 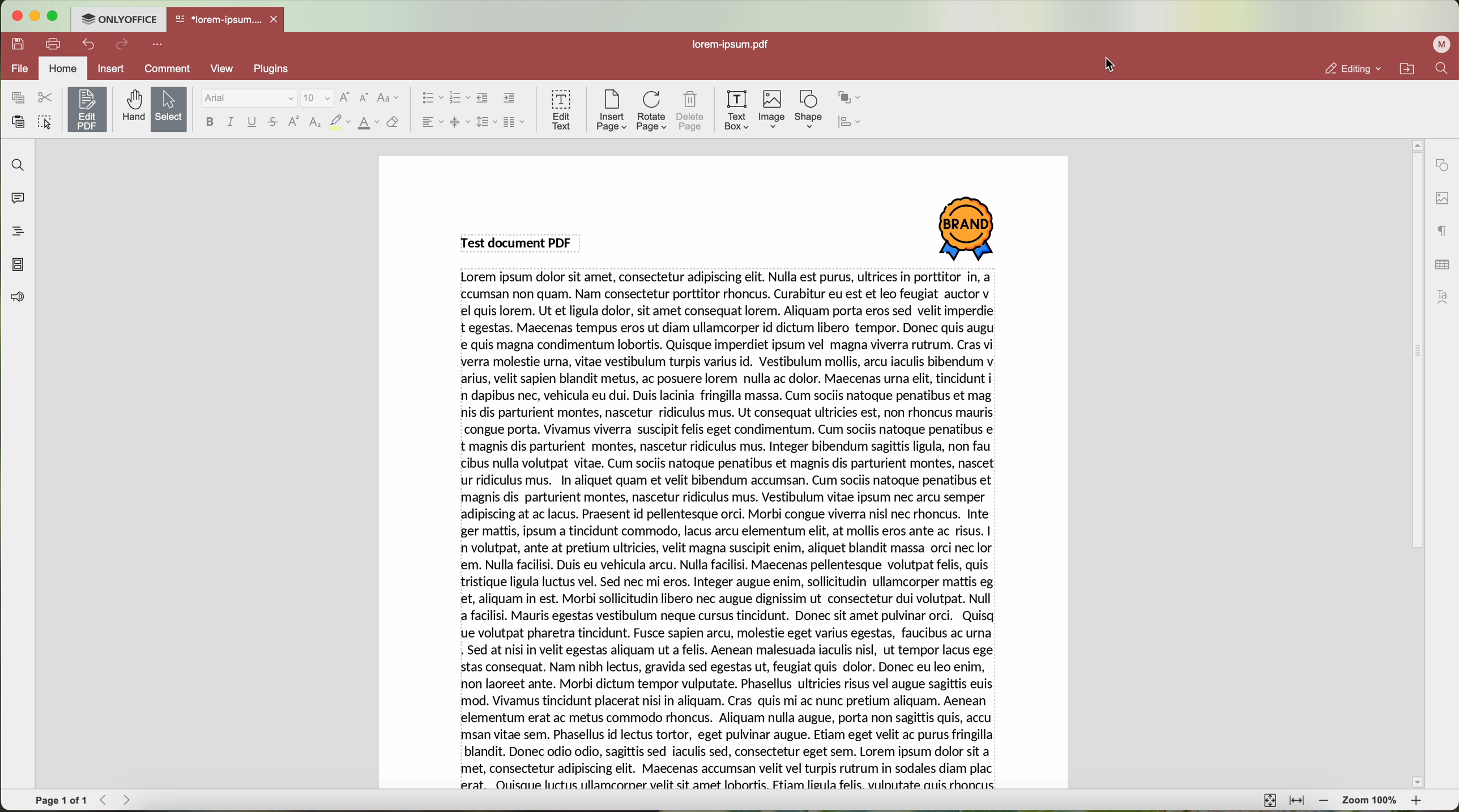 I want to click on paste, so click(x=18, y=122).